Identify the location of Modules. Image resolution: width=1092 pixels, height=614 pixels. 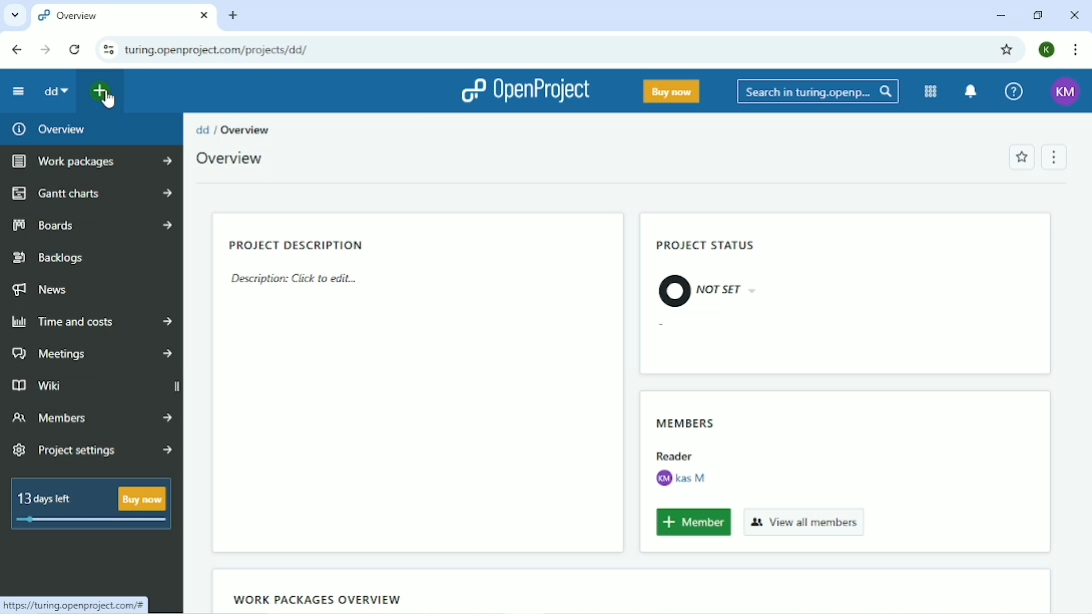
(929, 91).